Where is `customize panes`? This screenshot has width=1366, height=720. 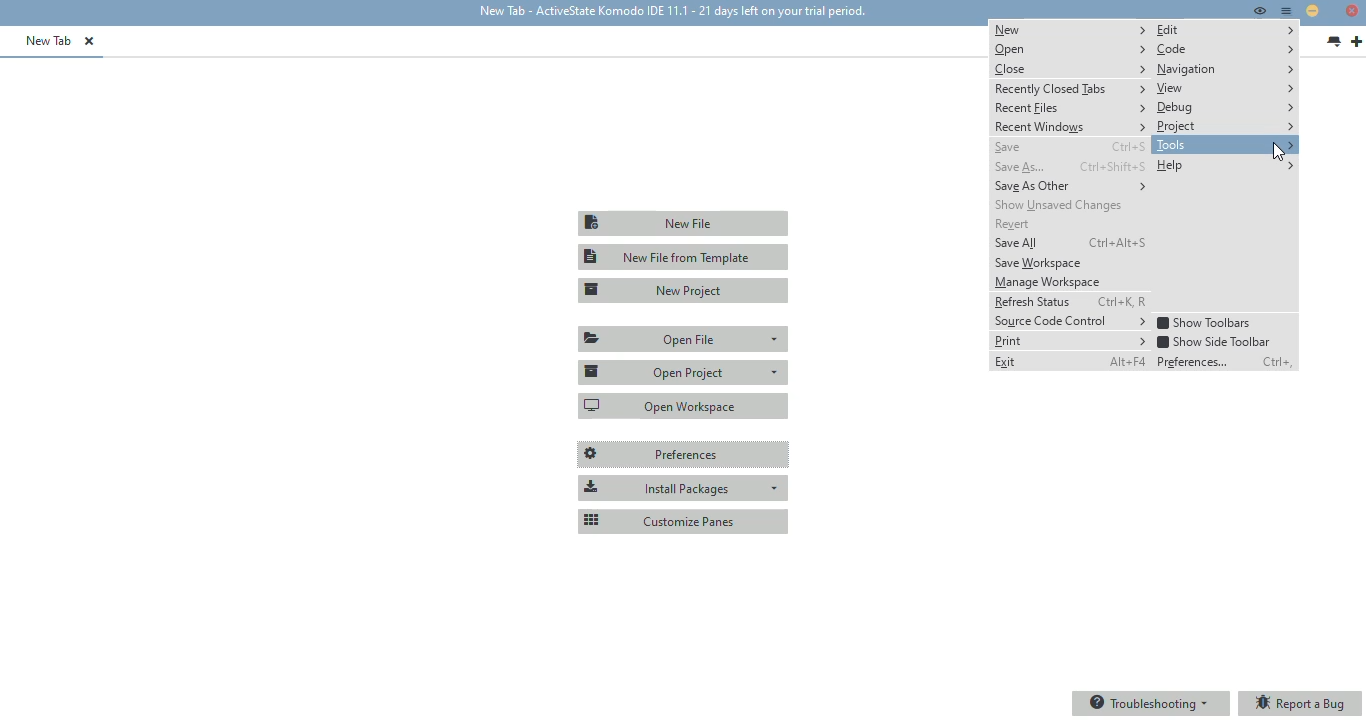
customize panes is located at coordinates (683, 520).